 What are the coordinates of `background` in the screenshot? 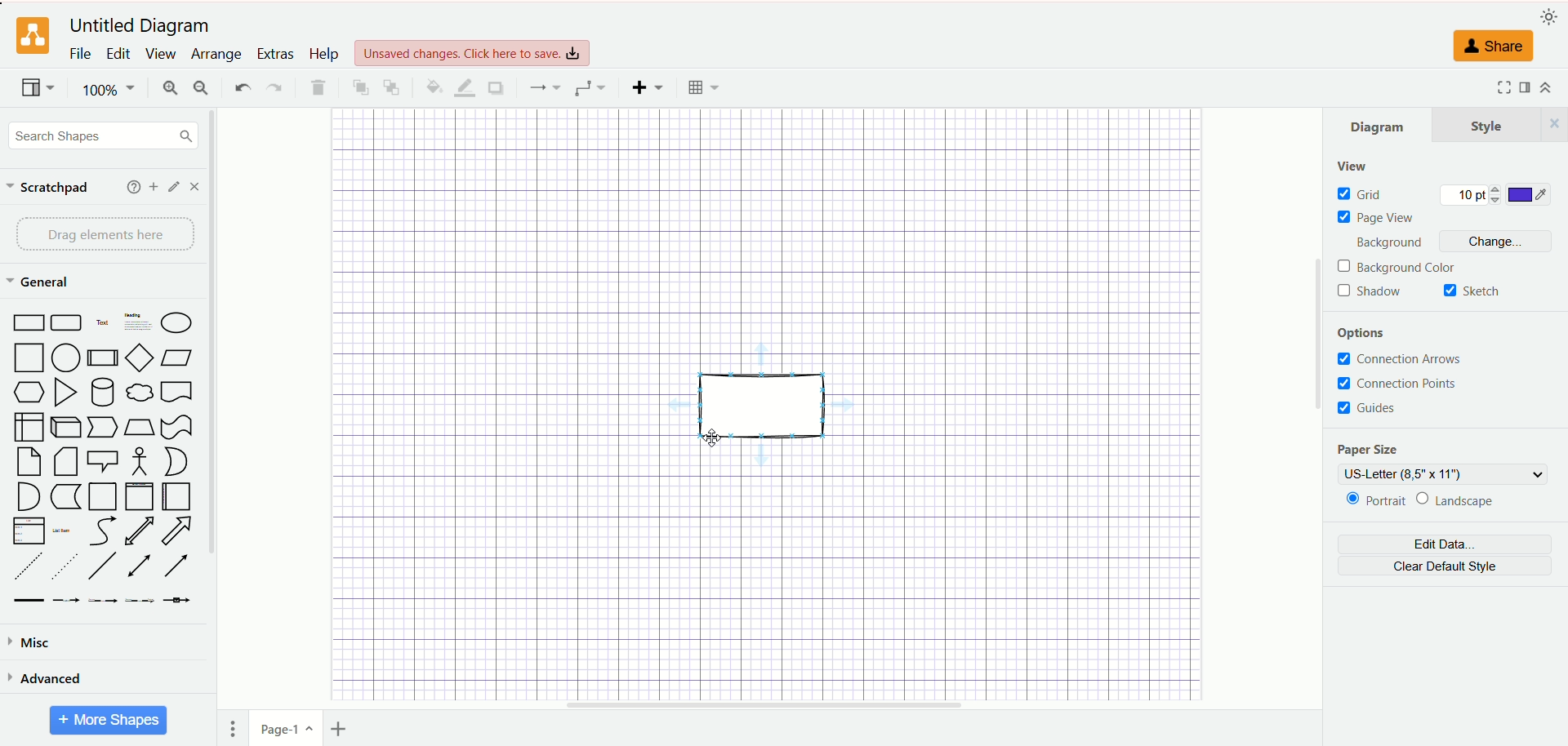 It's located at (1388, 242).